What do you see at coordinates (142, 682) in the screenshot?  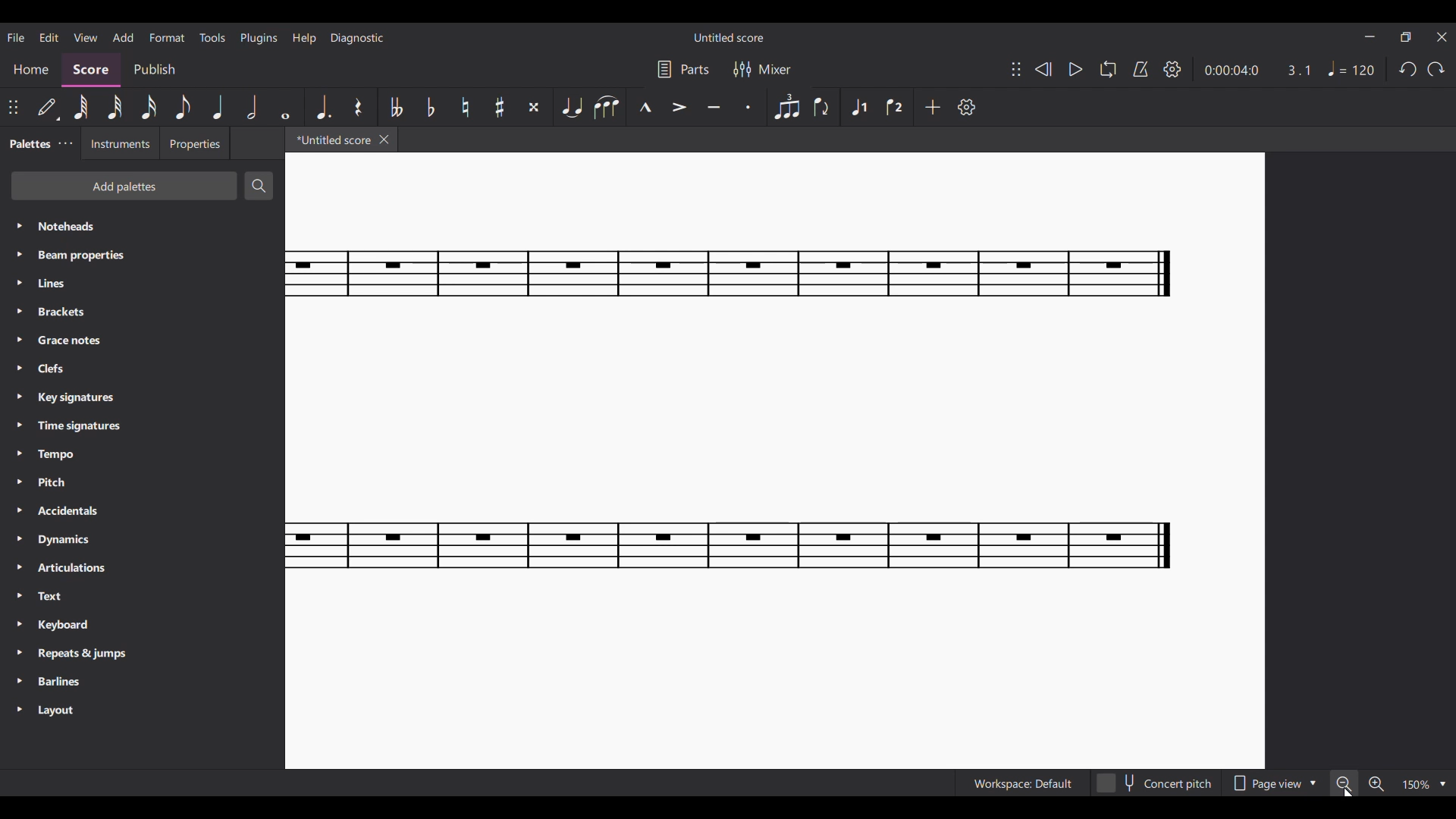 I see `Barlines` at bounding box center [142, 682].